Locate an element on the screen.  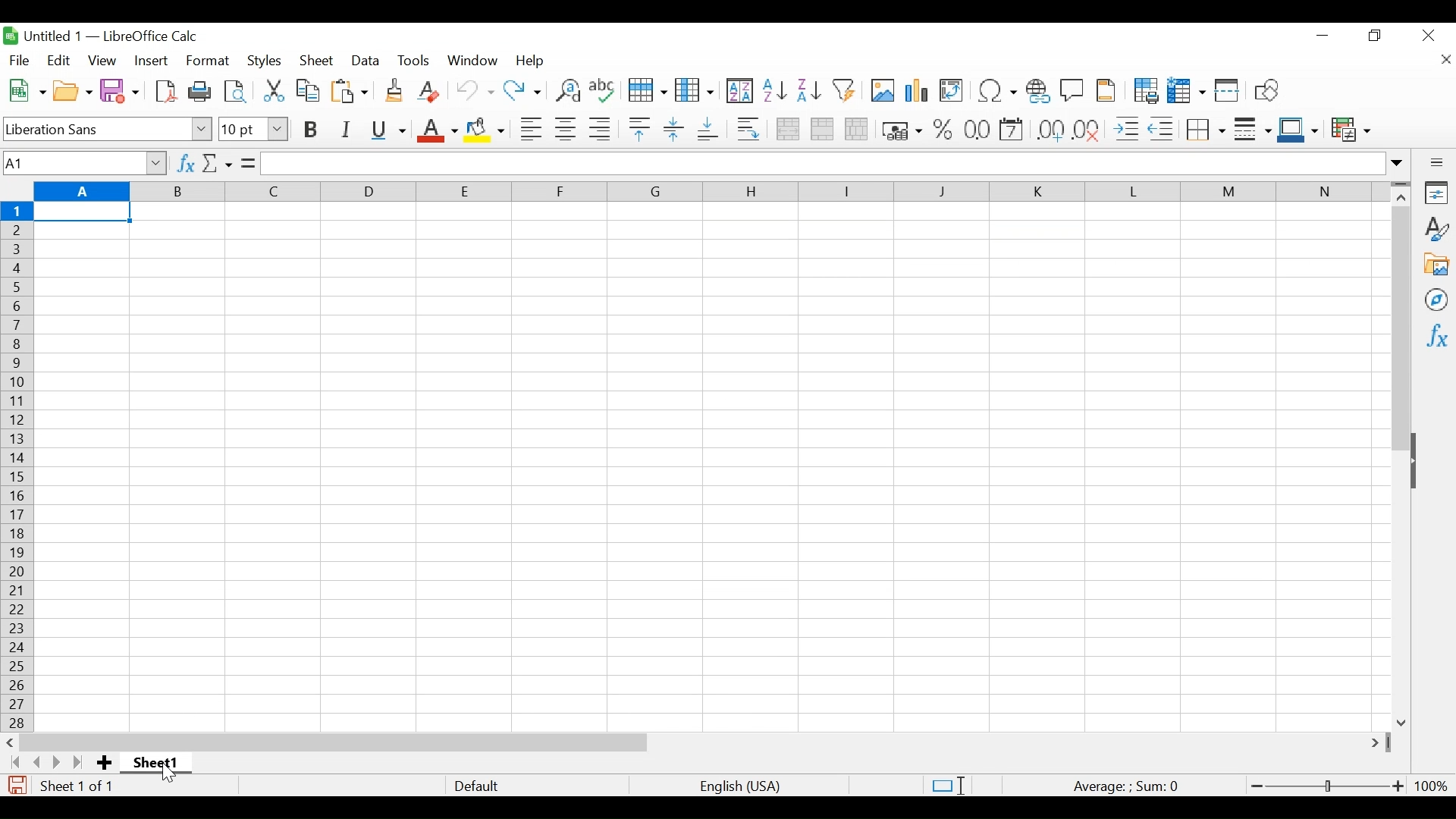
Increase Indent is located at coordinates (1126, 129).